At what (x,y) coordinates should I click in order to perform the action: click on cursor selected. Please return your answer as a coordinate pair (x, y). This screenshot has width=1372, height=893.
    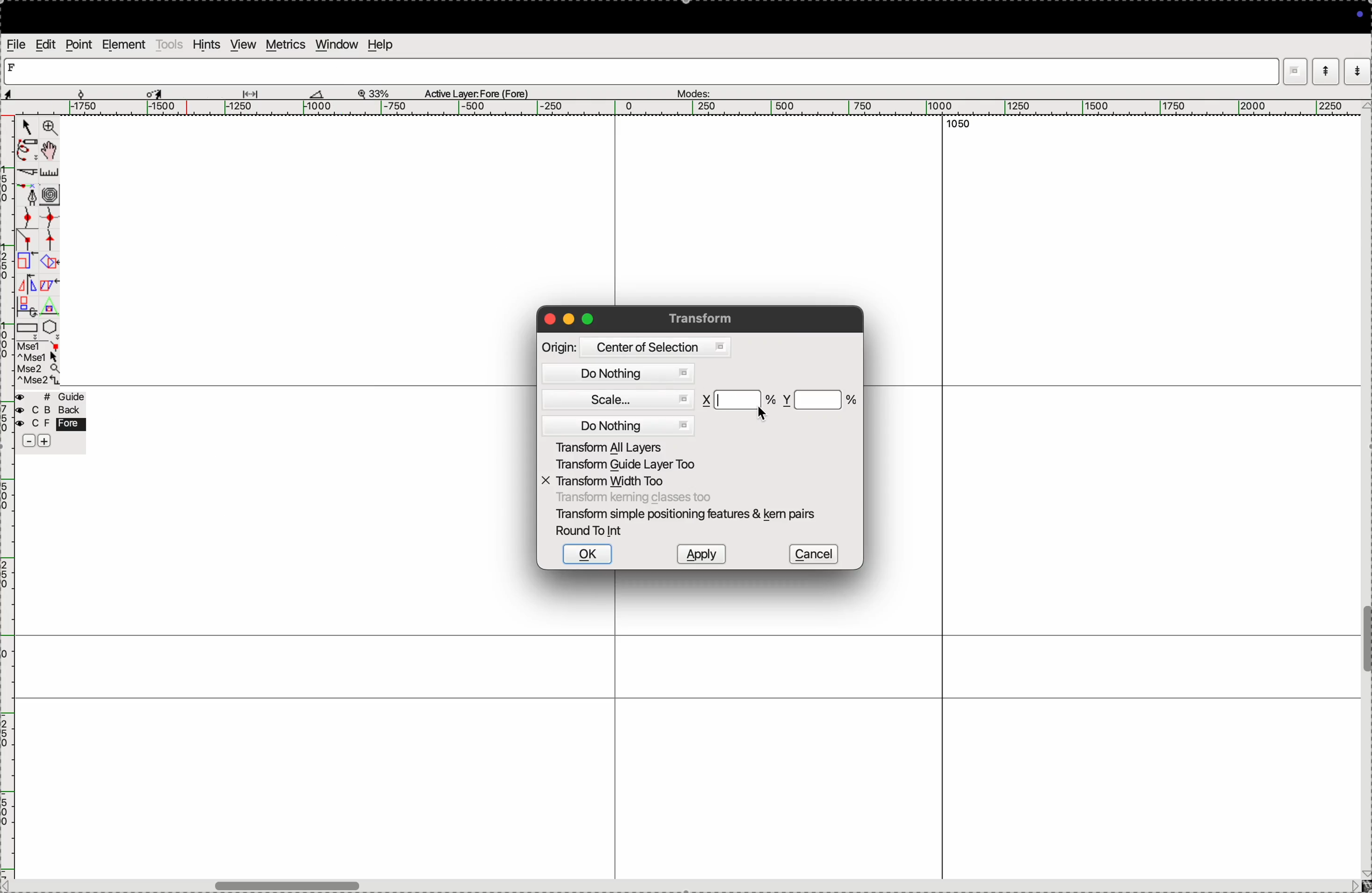
    Looking at the image, I should click on (156, 92).